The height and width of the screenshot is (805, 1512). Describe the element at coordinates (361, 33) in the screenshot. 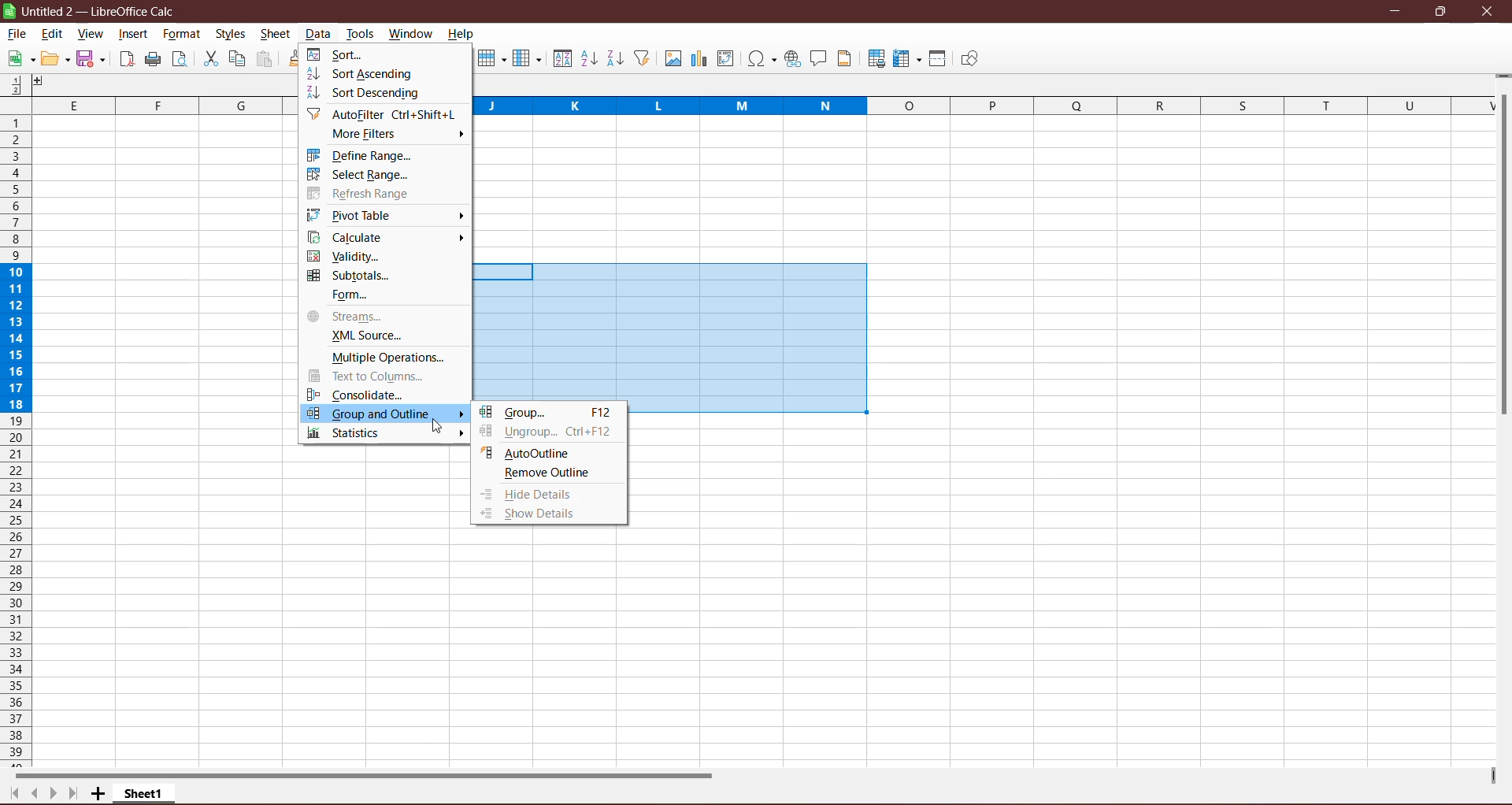

I see `Tools` at that location.